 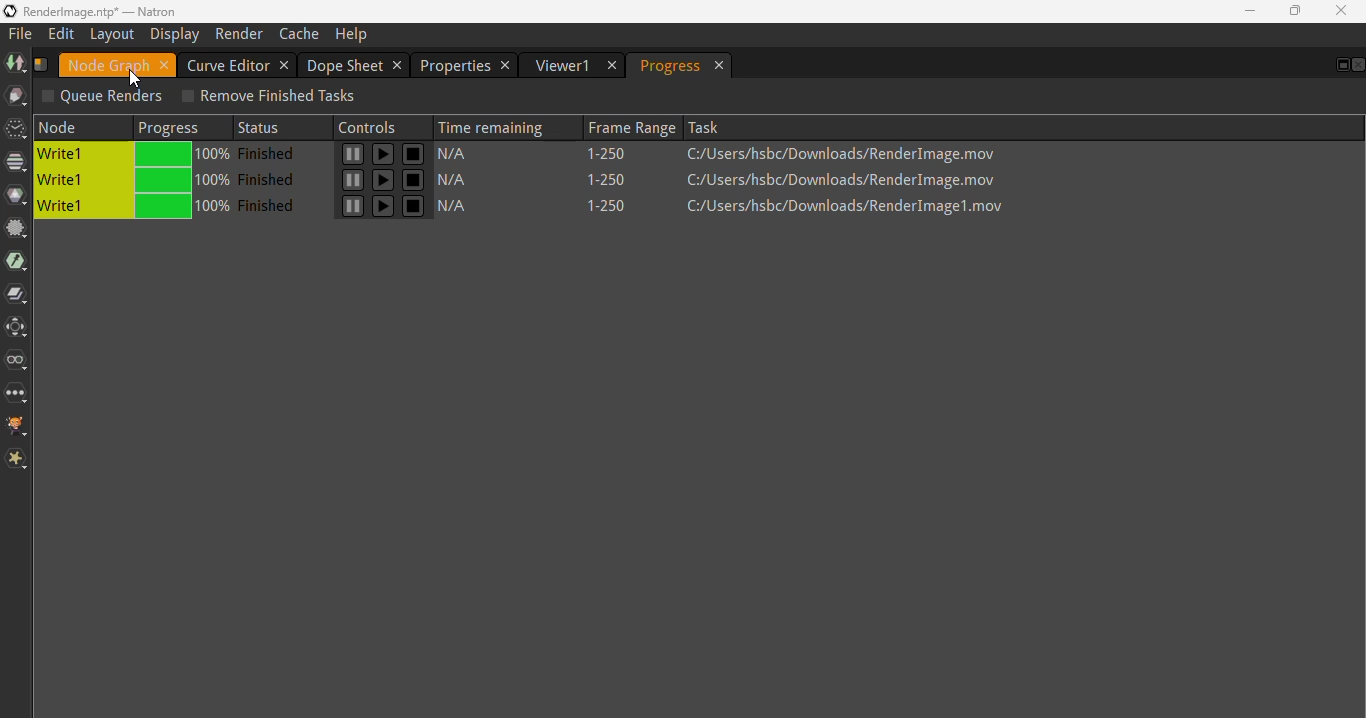 What do you see at coordinates (628, 126) in the screenshot?
I see `frame range` at bounding box center [628, 126].